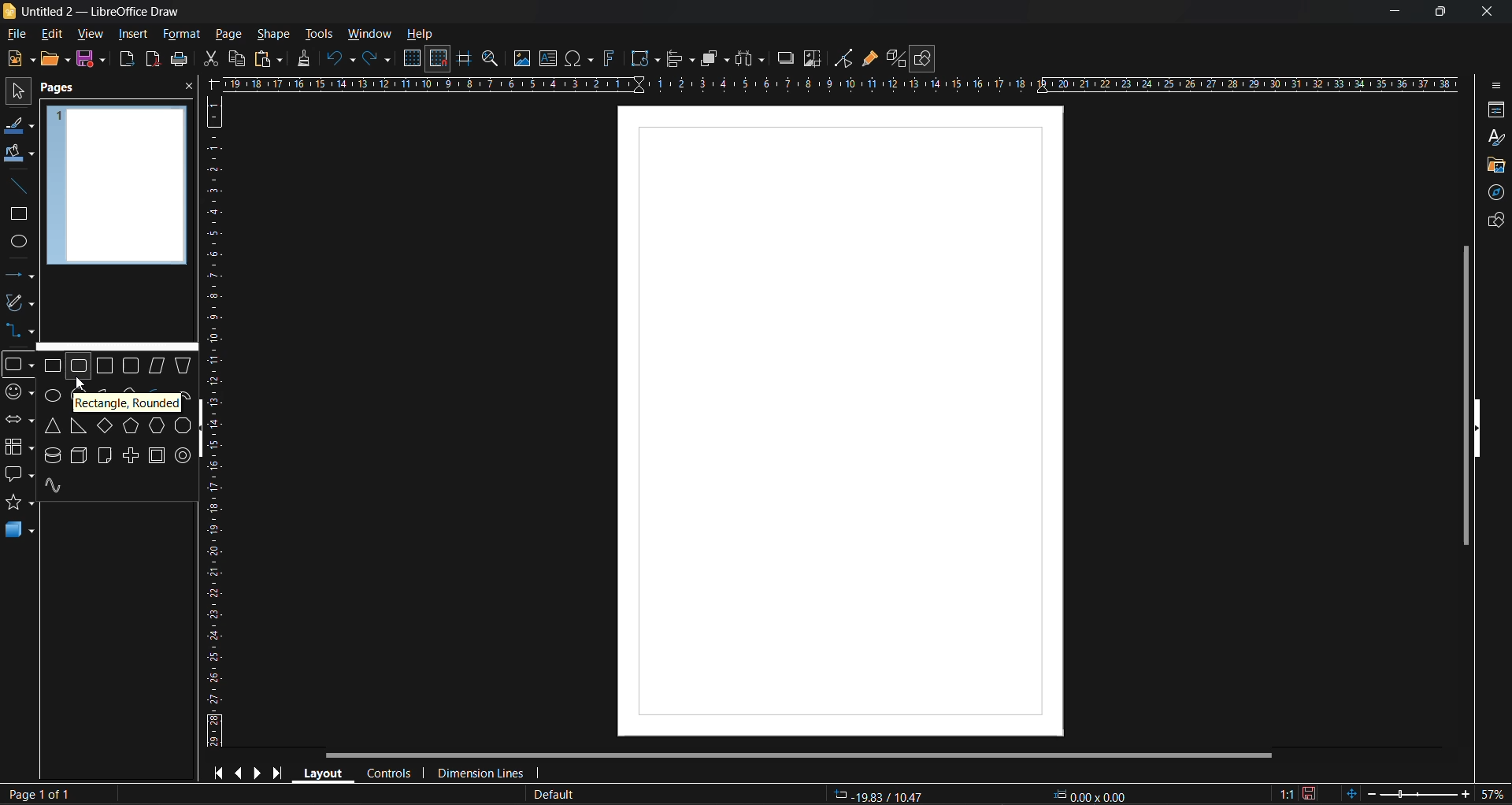 This screenshot has height=805, width=1512. Describe the element at coordinates (78, 368) in the screenshot. I see `rounded rectangle` at that location.